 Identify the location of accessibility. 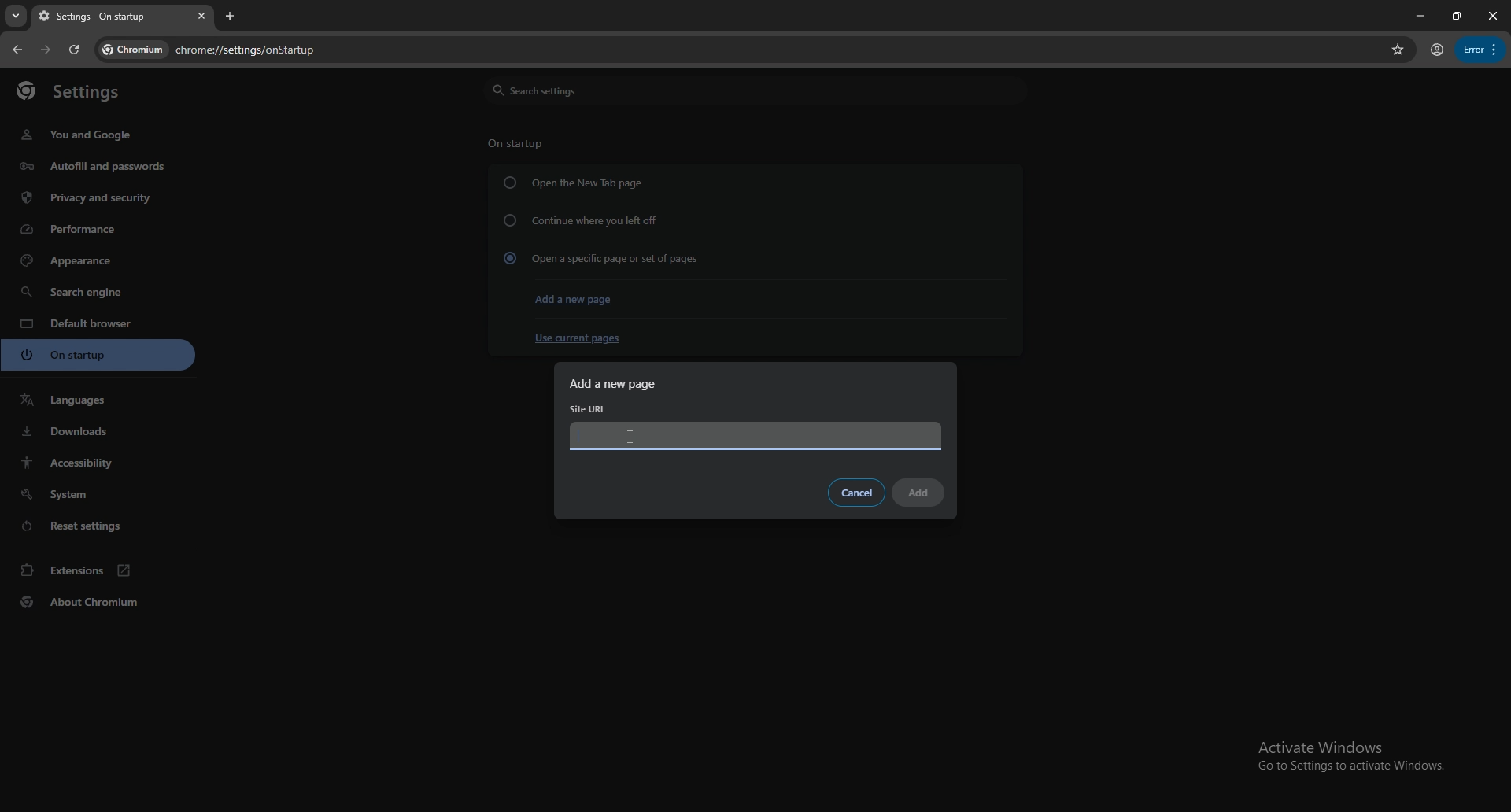
(101, 463).